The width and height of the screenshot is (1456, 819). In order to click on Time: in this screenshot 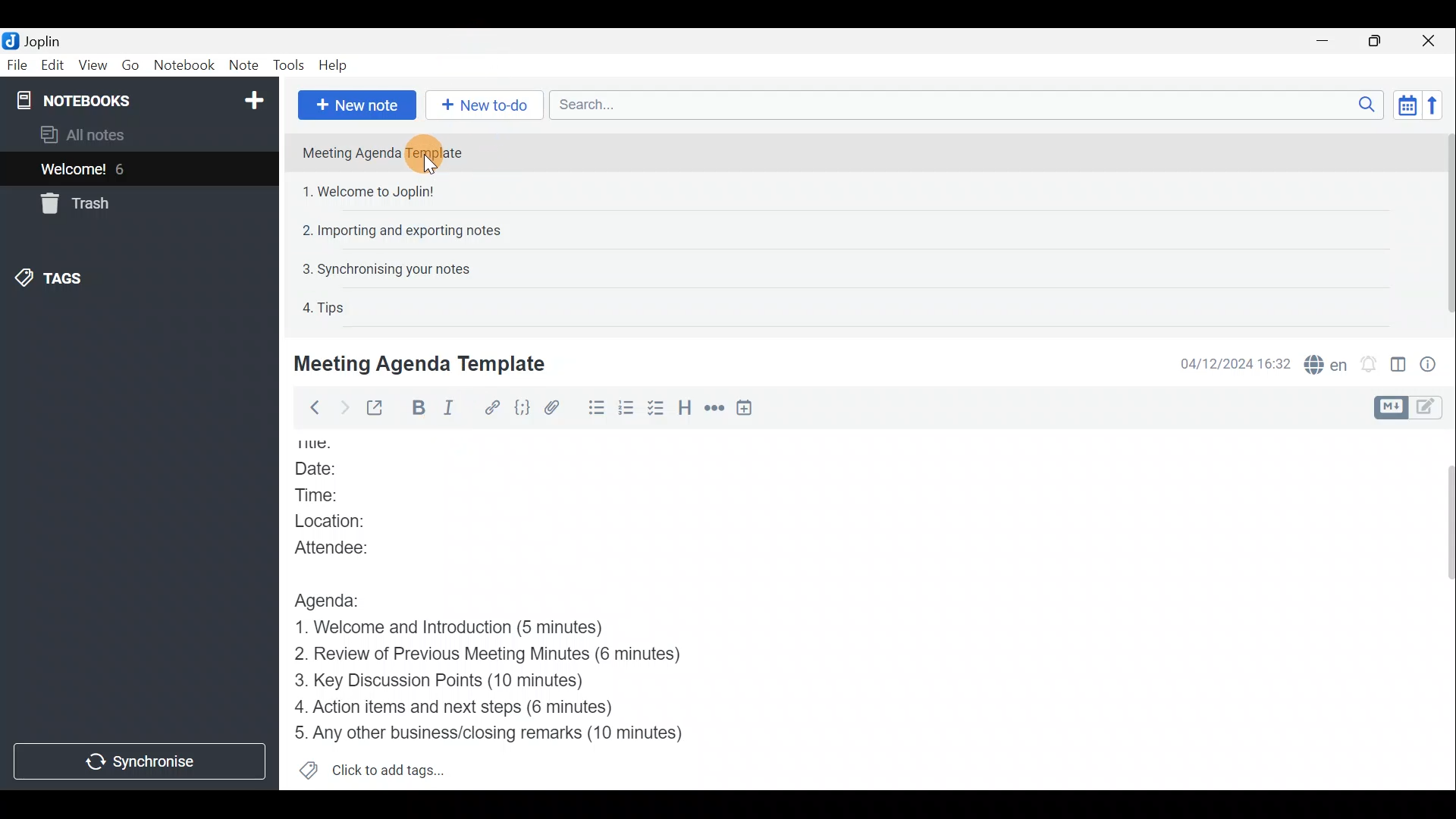, I will do `click(325, 495)`.